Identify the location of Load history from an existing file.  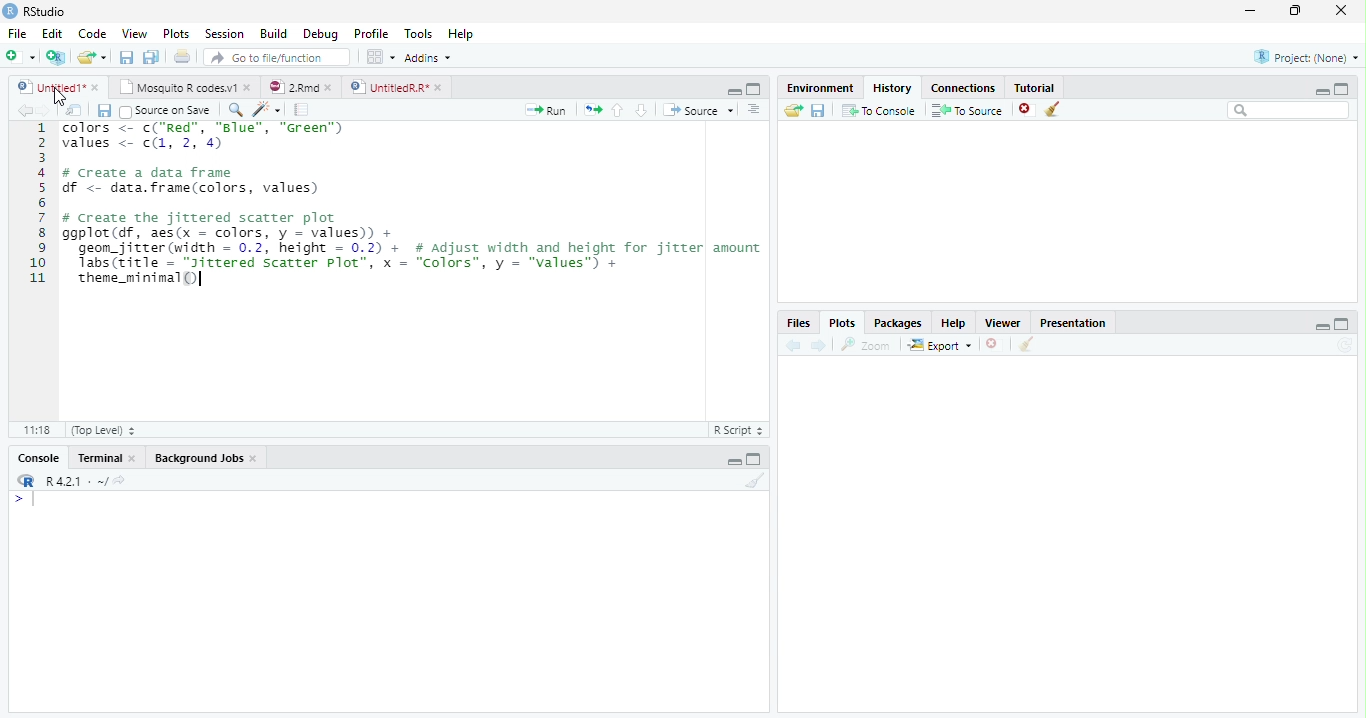
(793, 110).